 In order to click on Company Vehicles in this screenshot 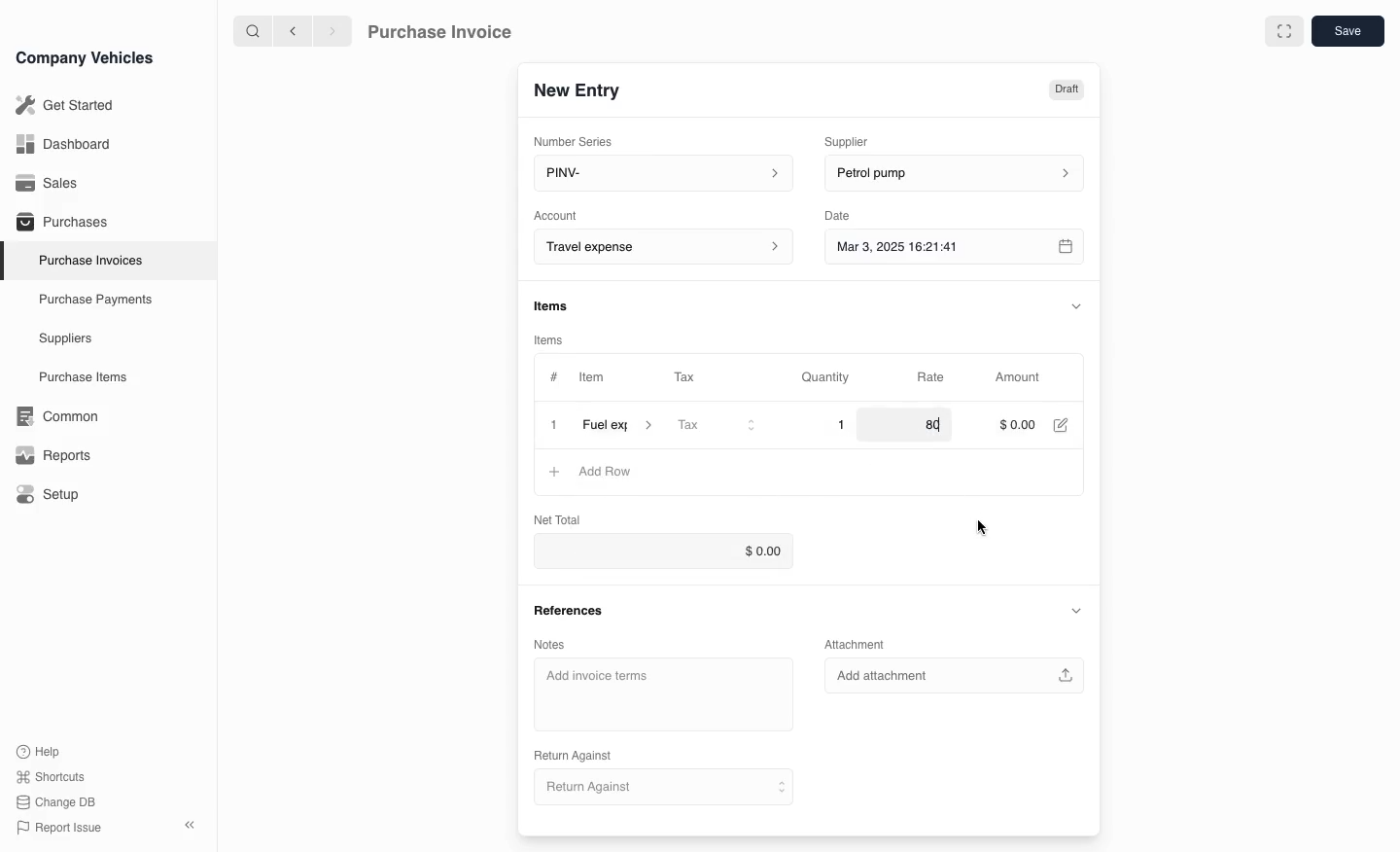, I will do `click(85, 57)`.